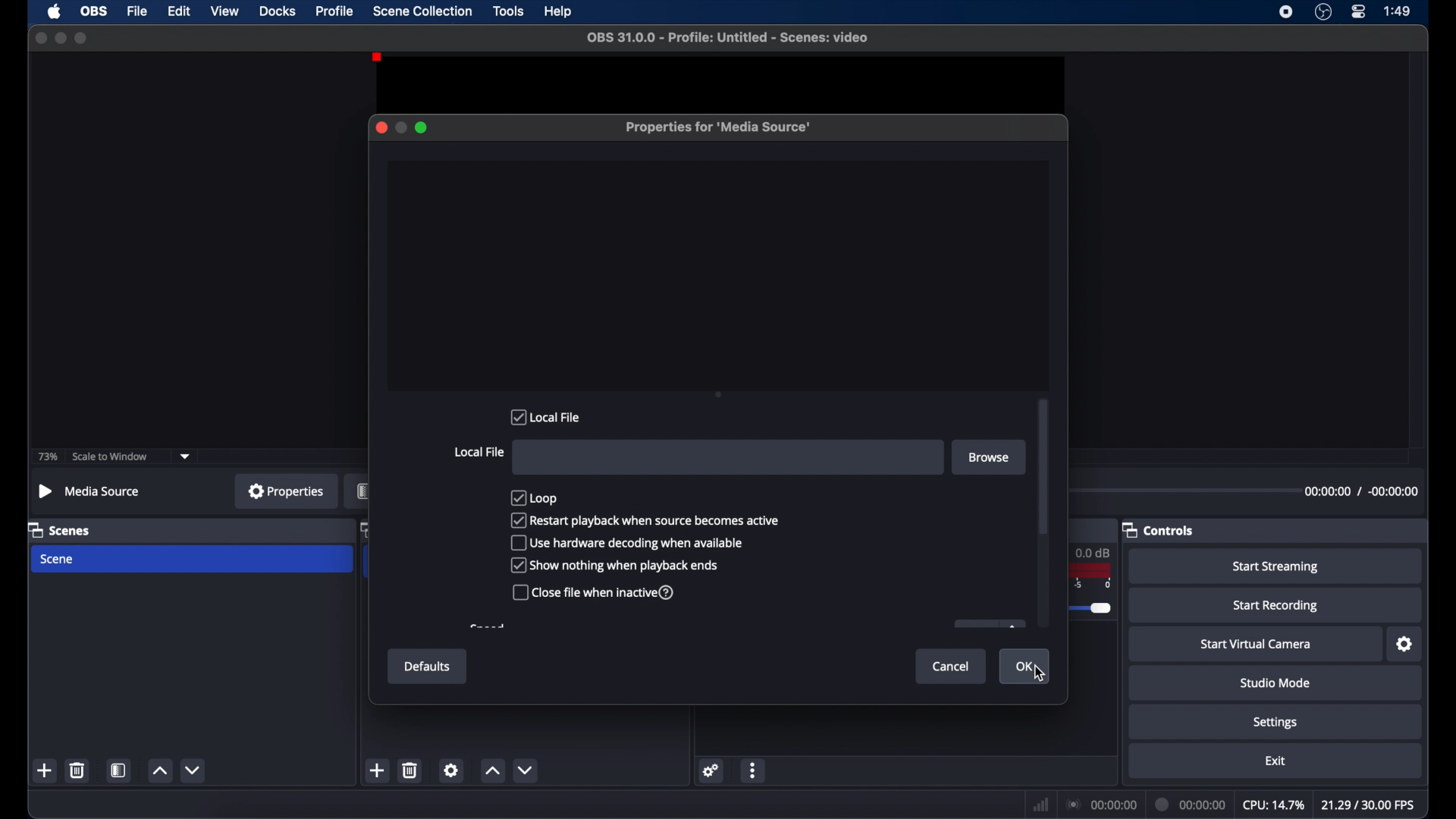 This screenshot has width=1456, height=819. Describe the element at coordinates (1277, 683) in the screenshot. I see `studio mode` at that location.